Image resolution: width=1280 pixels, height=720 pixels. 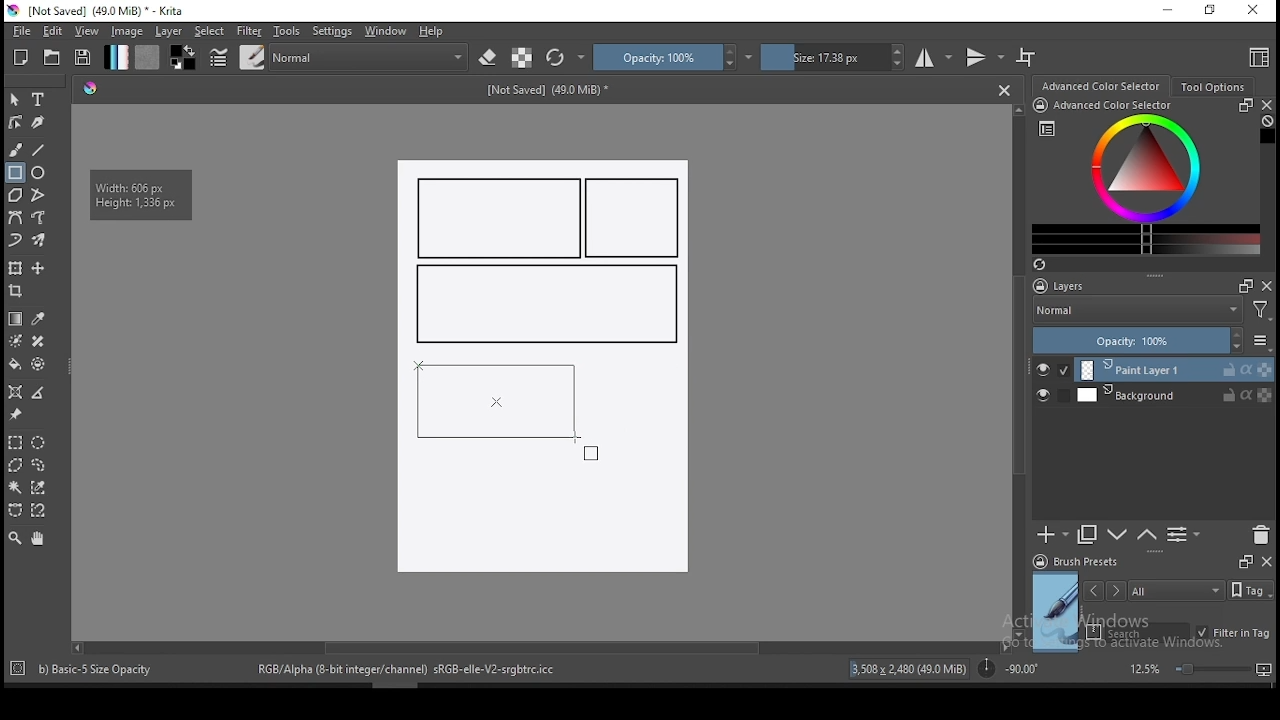 I want to click on preview, so click(x=1056, y=612).